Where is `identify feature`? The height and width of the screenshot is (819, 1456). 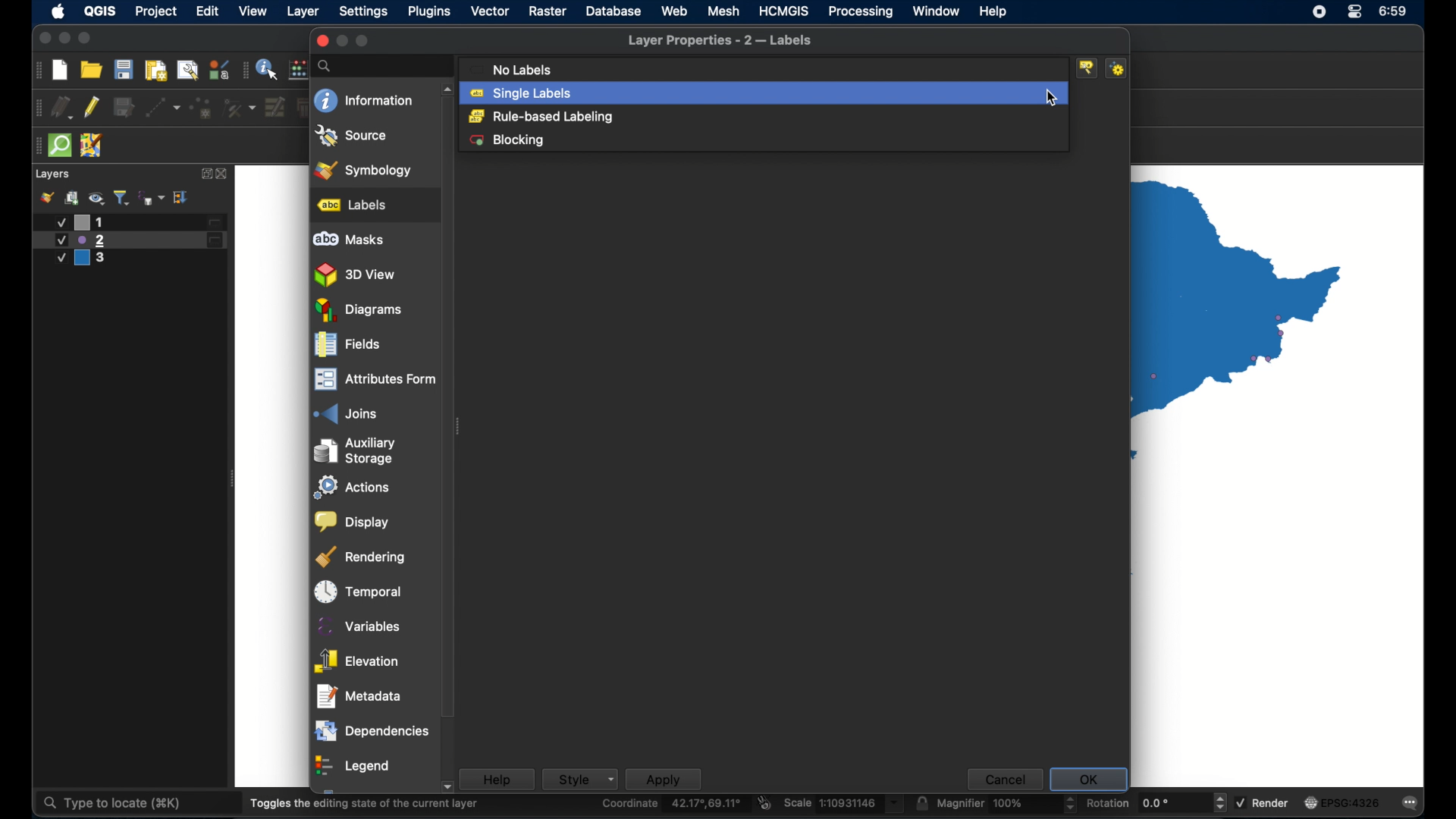 identify feature is located at coordinates (268, 68).